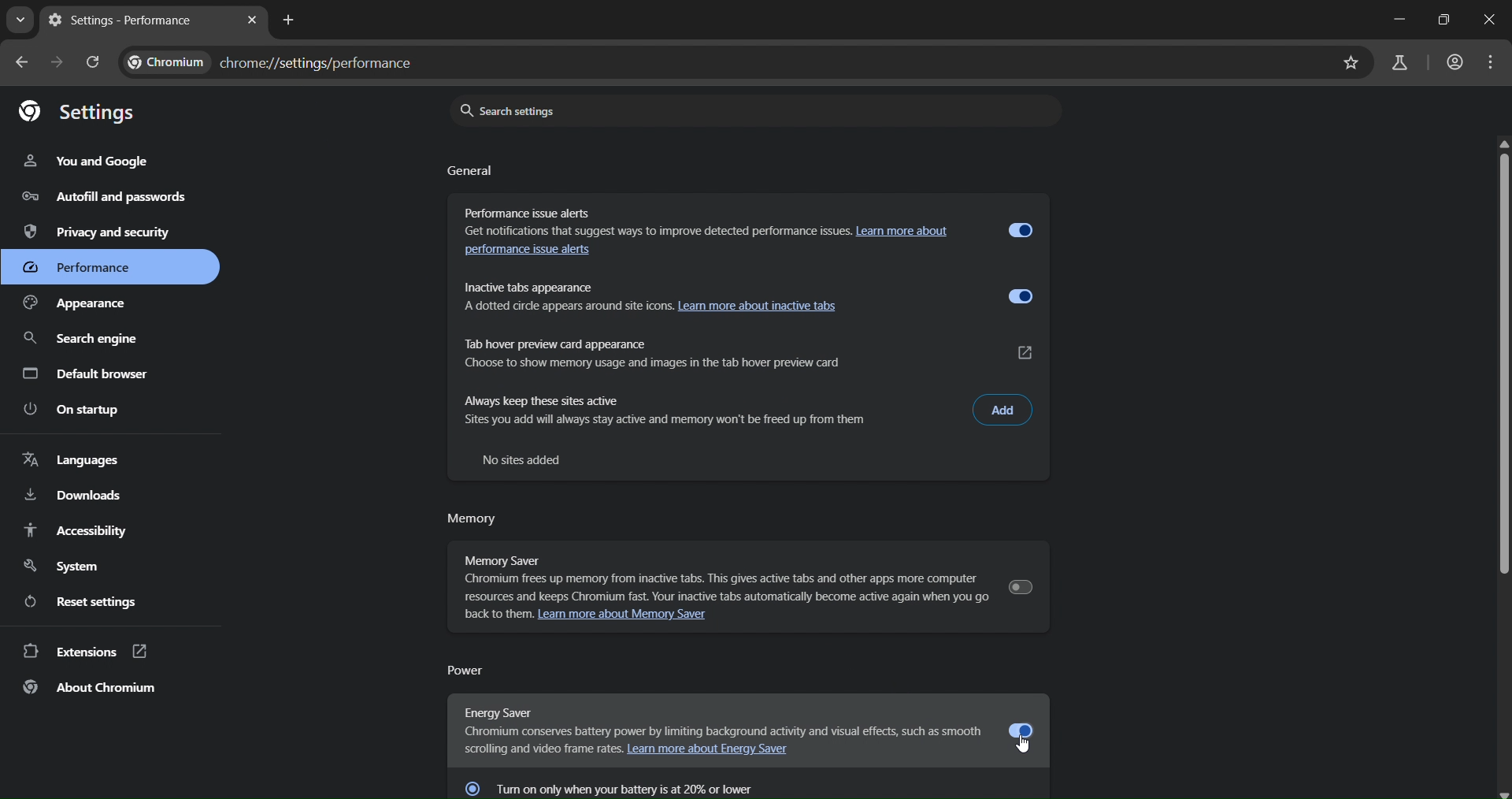 The width and height of the screenshot is (1512, 799). What do you see at coordinates (748, 110) in the screenshot?
I see `search settings` at bounding box center [748, 110].